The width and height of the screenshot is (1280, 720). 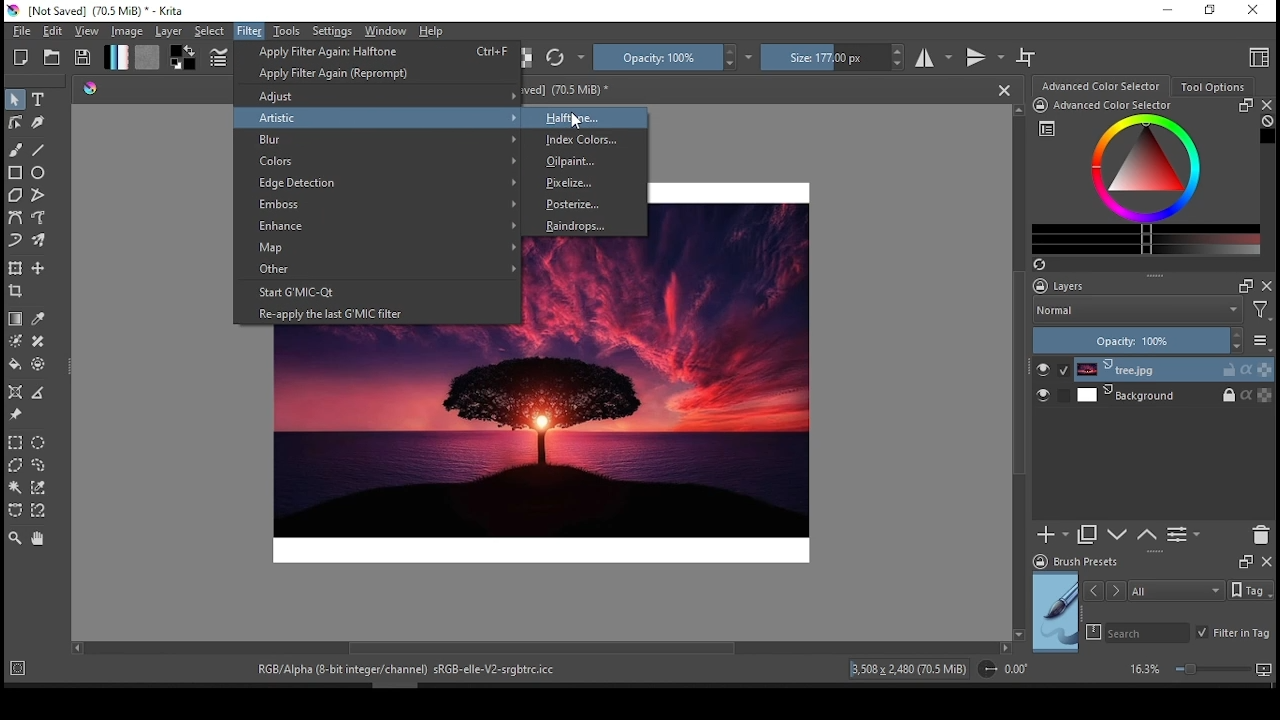 I want to click on search, so click(x=1090, y=632).